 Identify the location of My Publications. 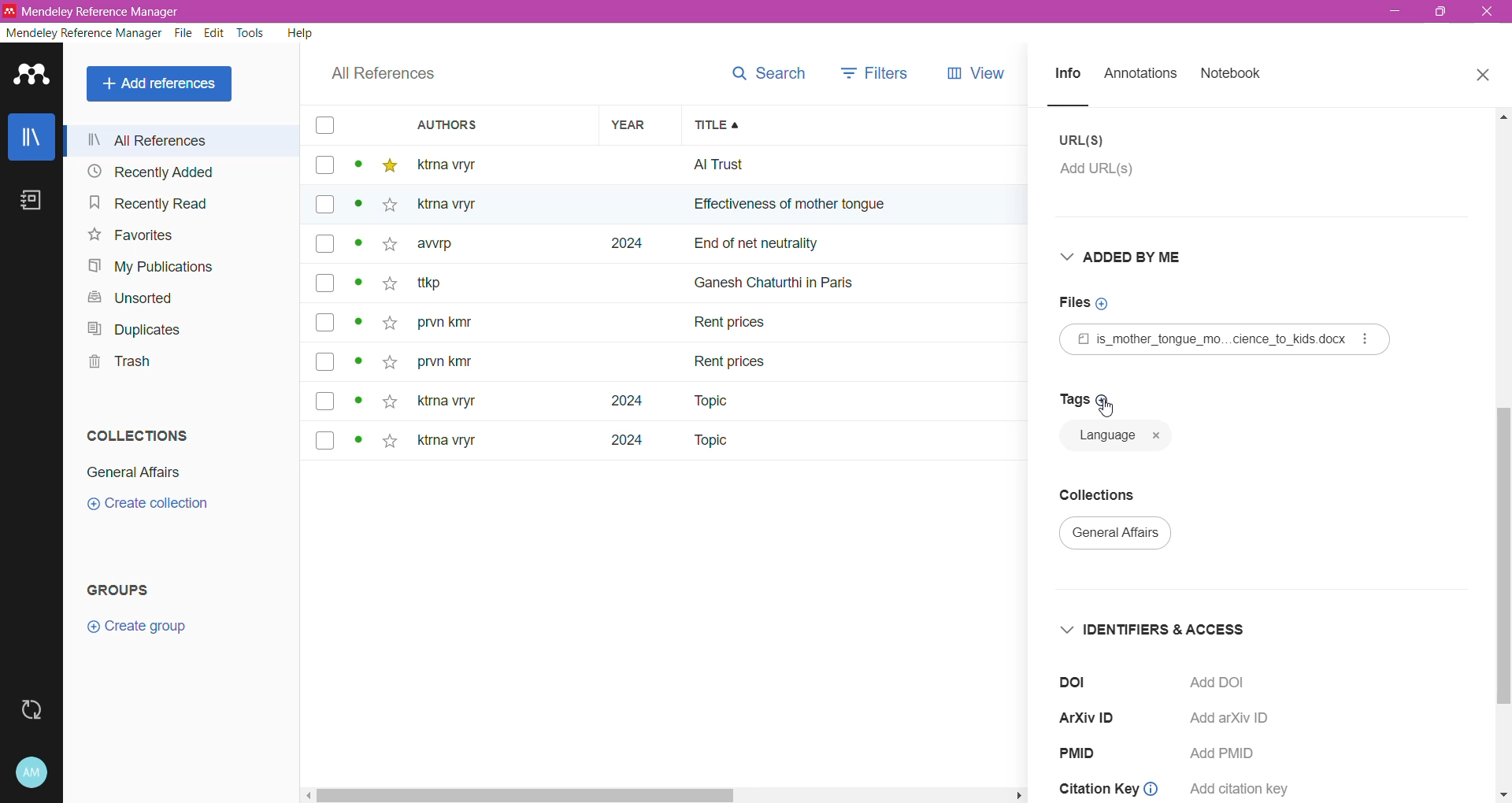
(154, 267).